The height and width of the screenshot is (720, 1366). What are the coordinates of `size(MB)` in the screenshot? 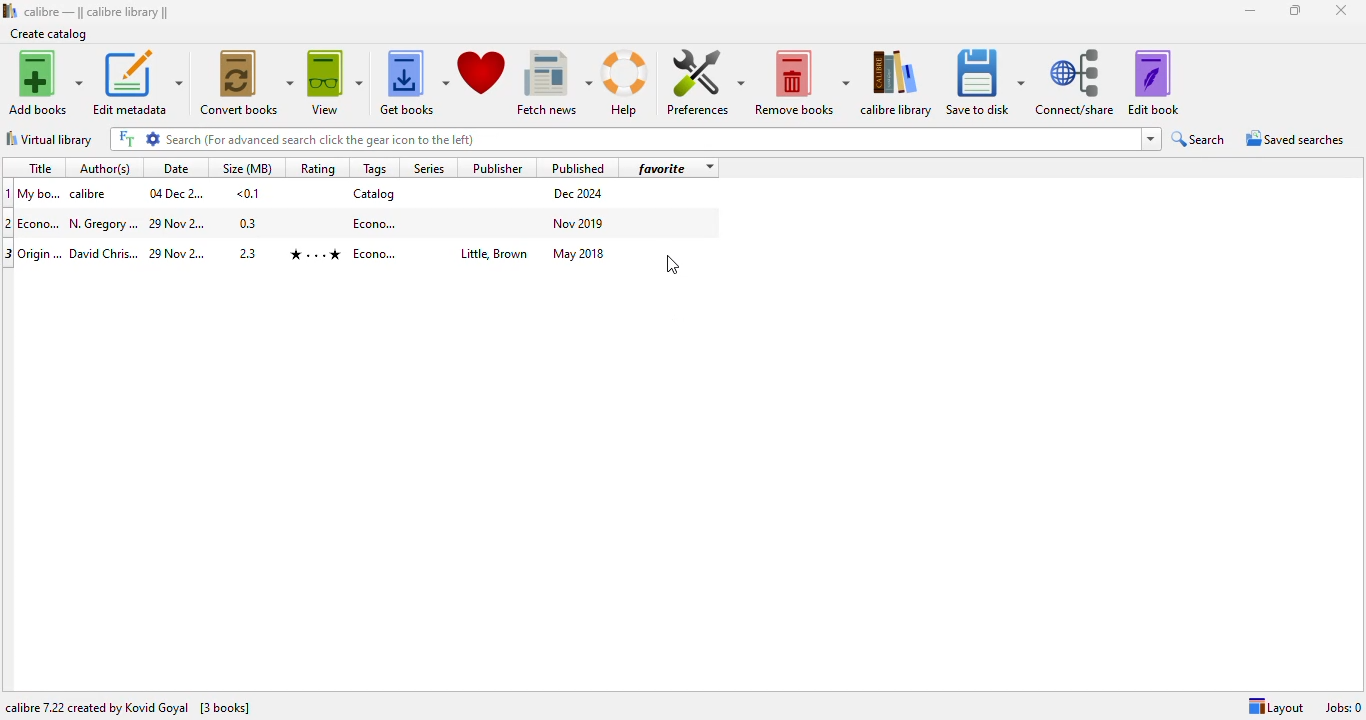 It's located at (246, 167).